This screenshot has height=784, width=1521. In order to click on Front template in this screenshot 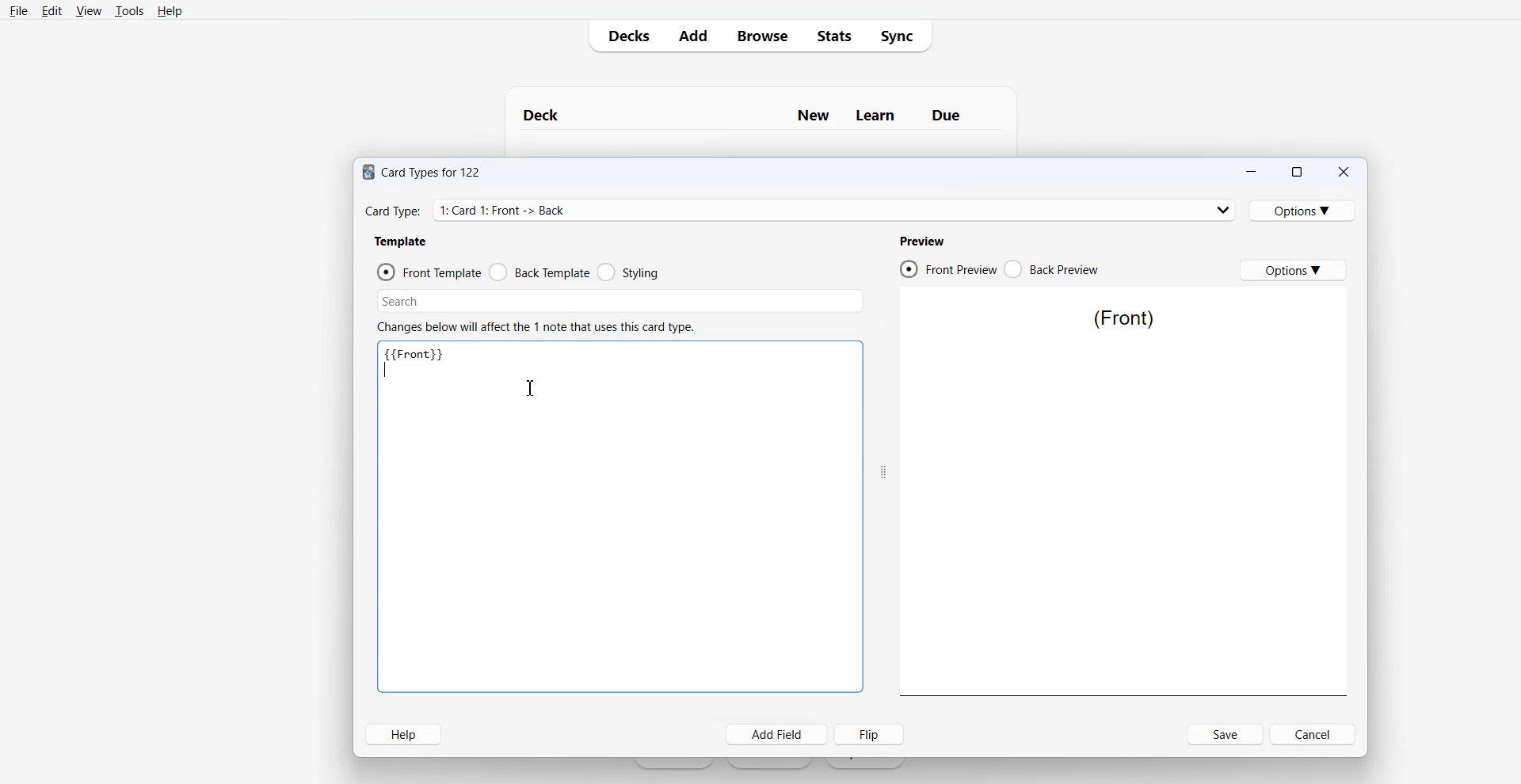, I will do `click(429, 272)`.